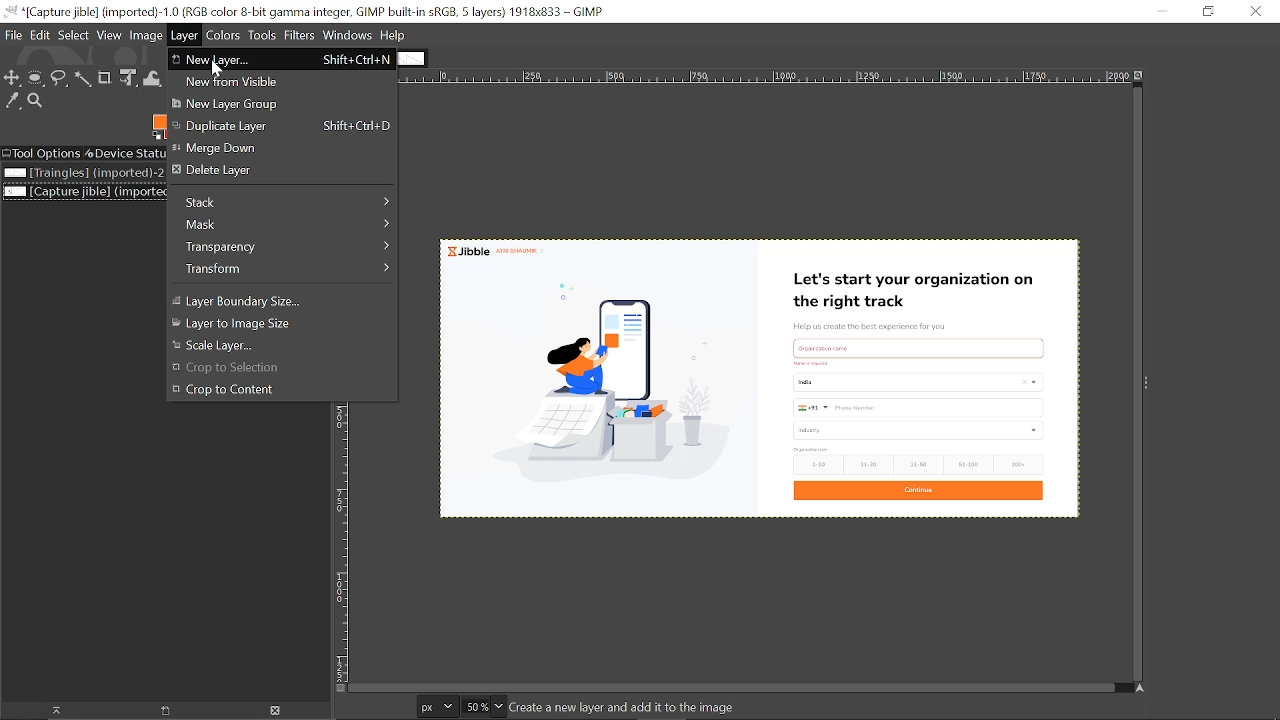 This screenshot has height=720, width=1280. Describe the element at coordinates (94, 193) in the screenshot. I see `Current image file` at that location.